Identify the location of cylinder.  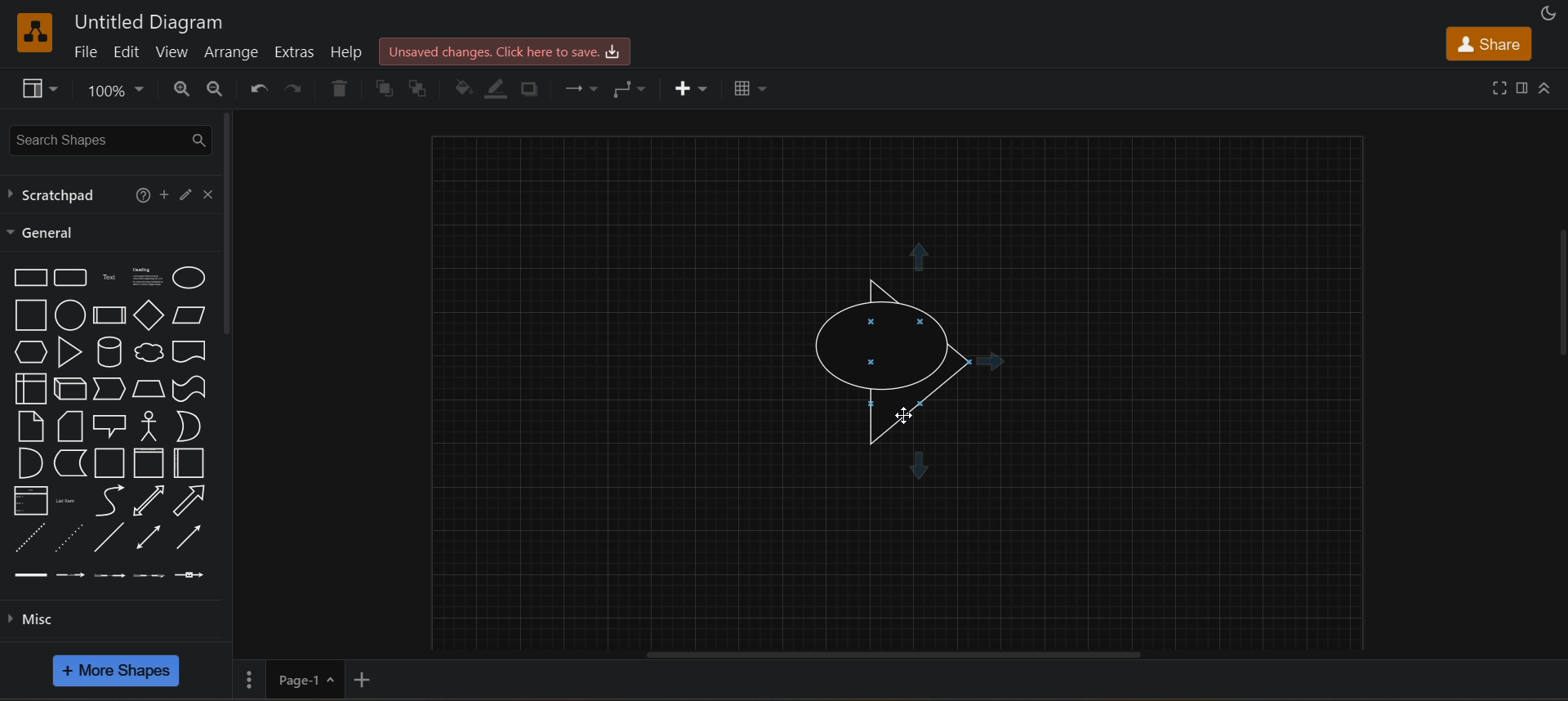
(109, 352).